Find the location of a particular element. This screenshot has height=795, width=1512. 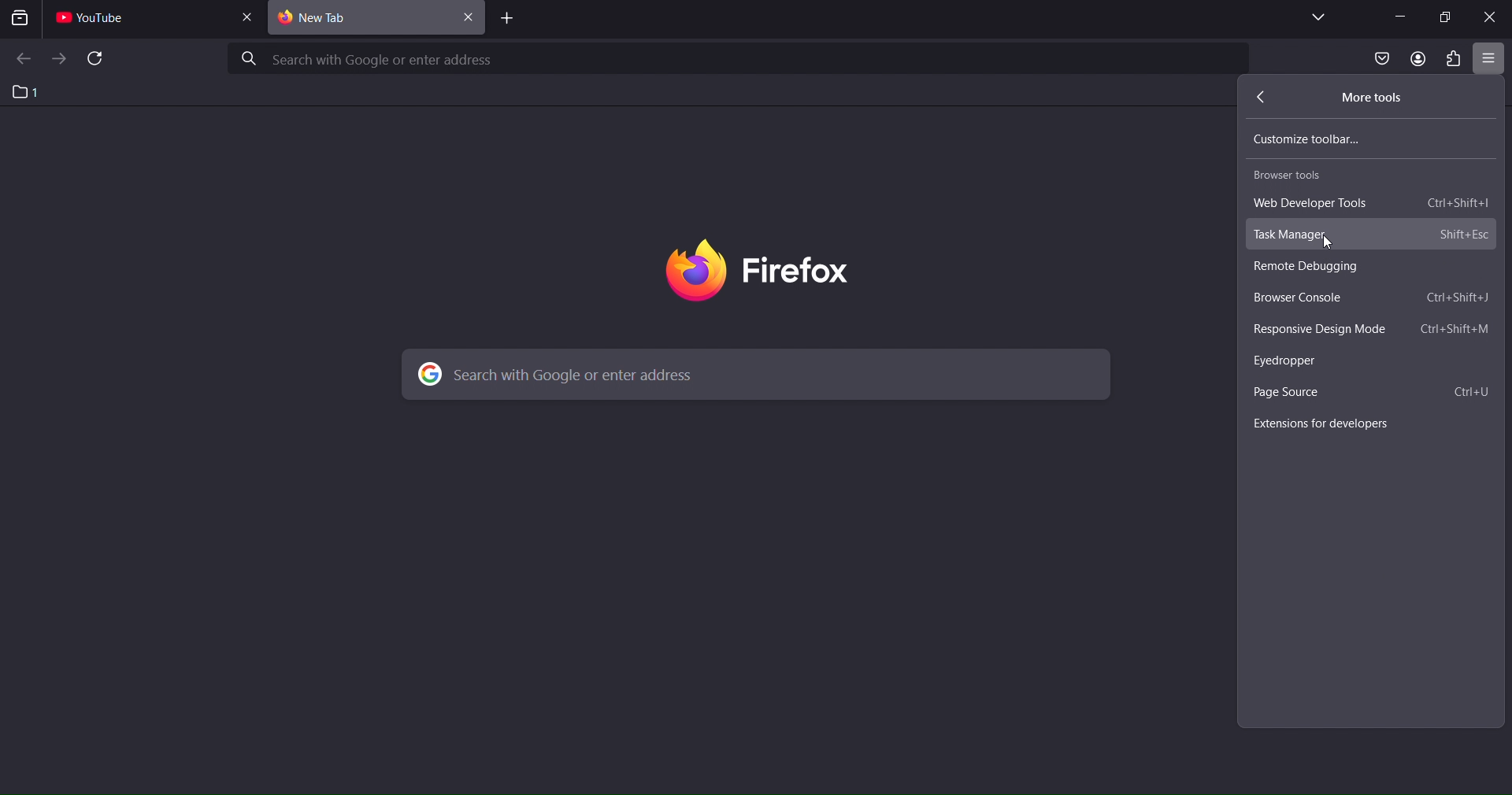

restore down is located at coordinates (1447, 17).